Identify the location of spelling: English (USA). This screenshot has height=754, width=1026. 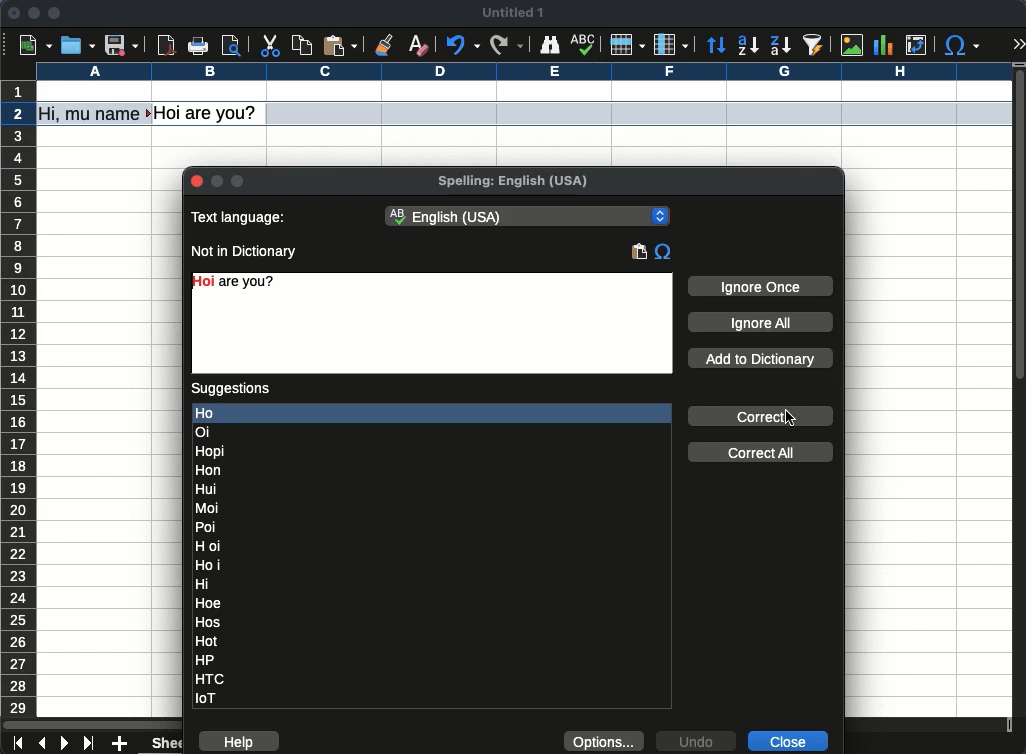
(511, 183).